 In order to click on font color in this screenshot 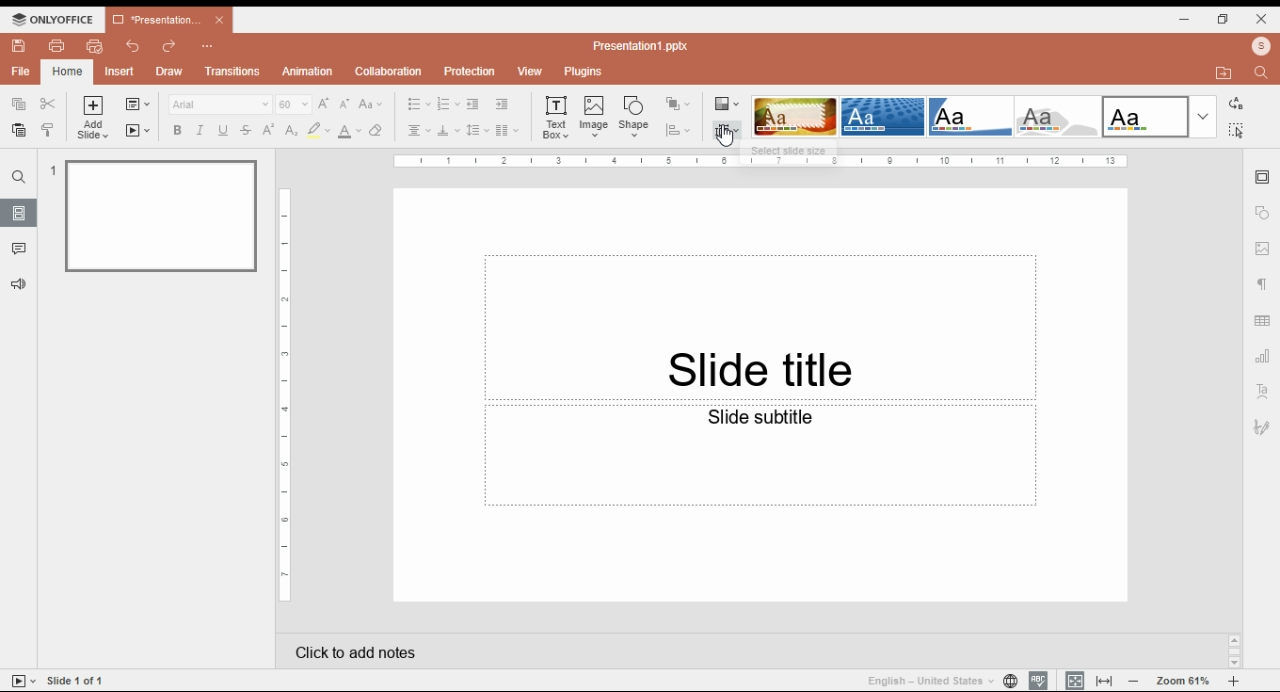, I will do `click(351, 131)`.